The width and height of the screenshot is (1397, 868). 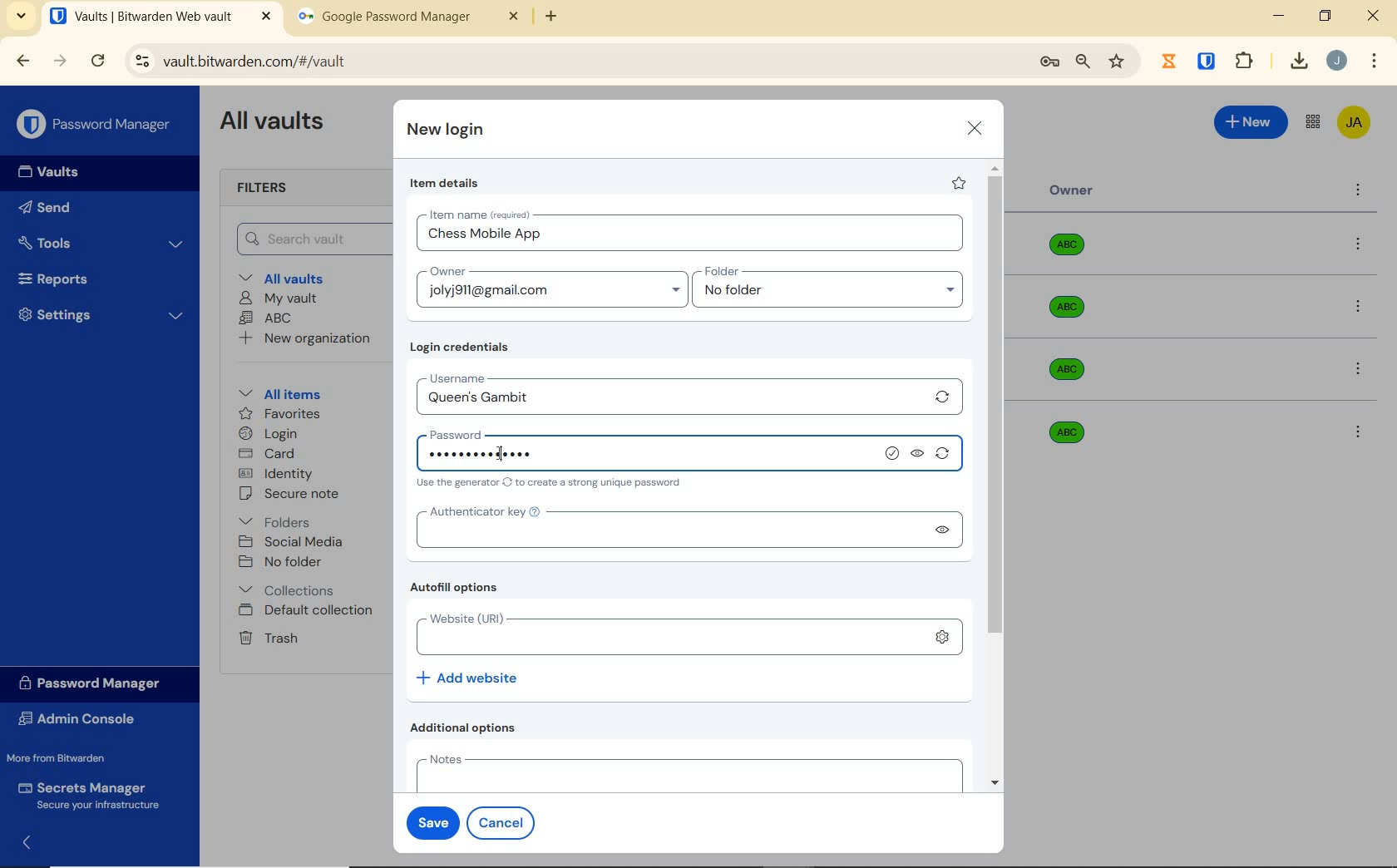 What do you see at coordinates (946, 456) in the screenshot?
I see `generate` at bounding box center [946, 456].